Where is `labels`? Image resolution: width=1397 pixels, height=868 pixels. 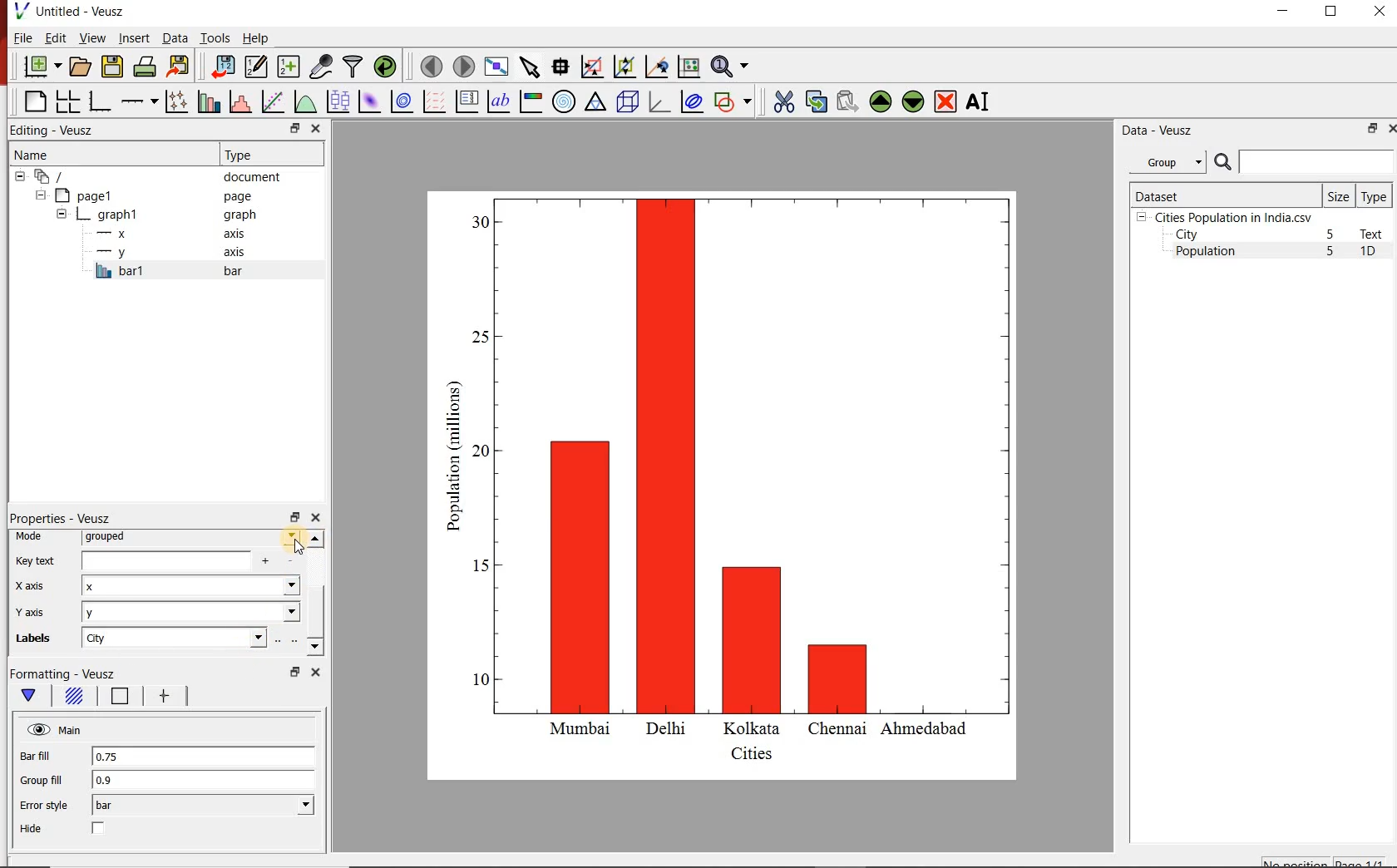 labels is located at coordinates (38, 641).